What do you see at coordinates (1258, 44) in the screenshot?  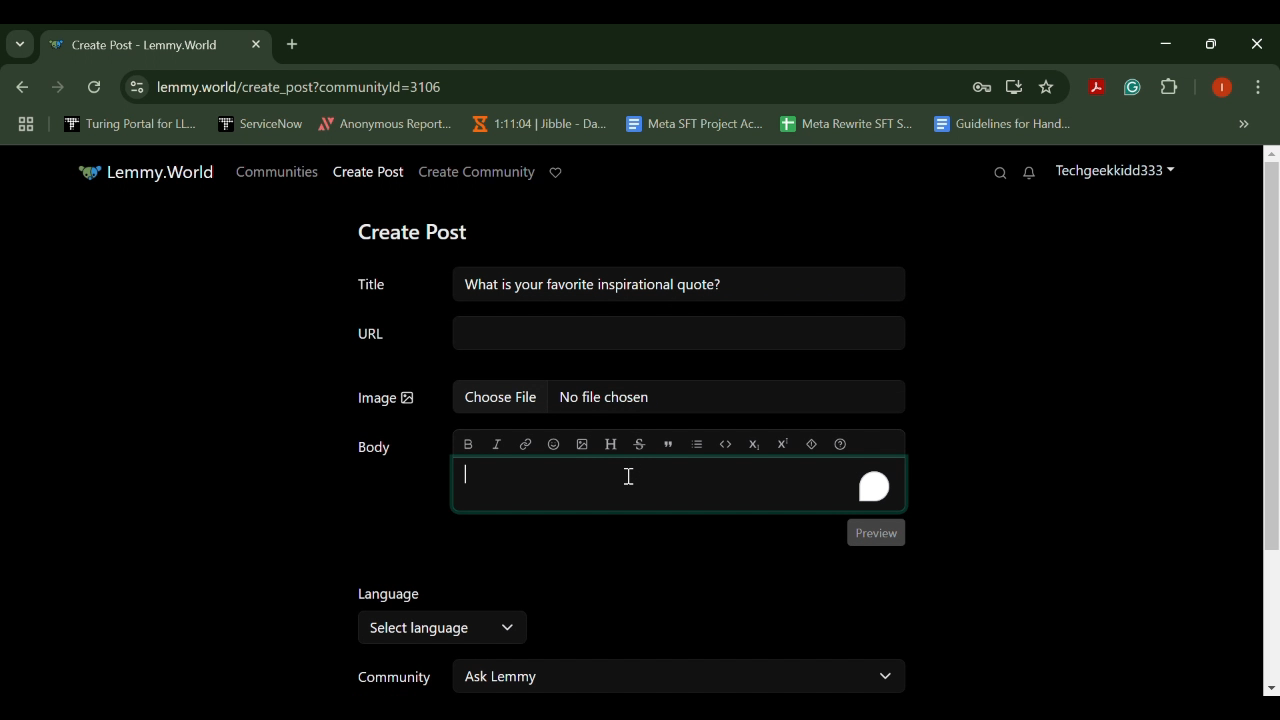 I see `Close Window` at bounding box center [1258, 44].